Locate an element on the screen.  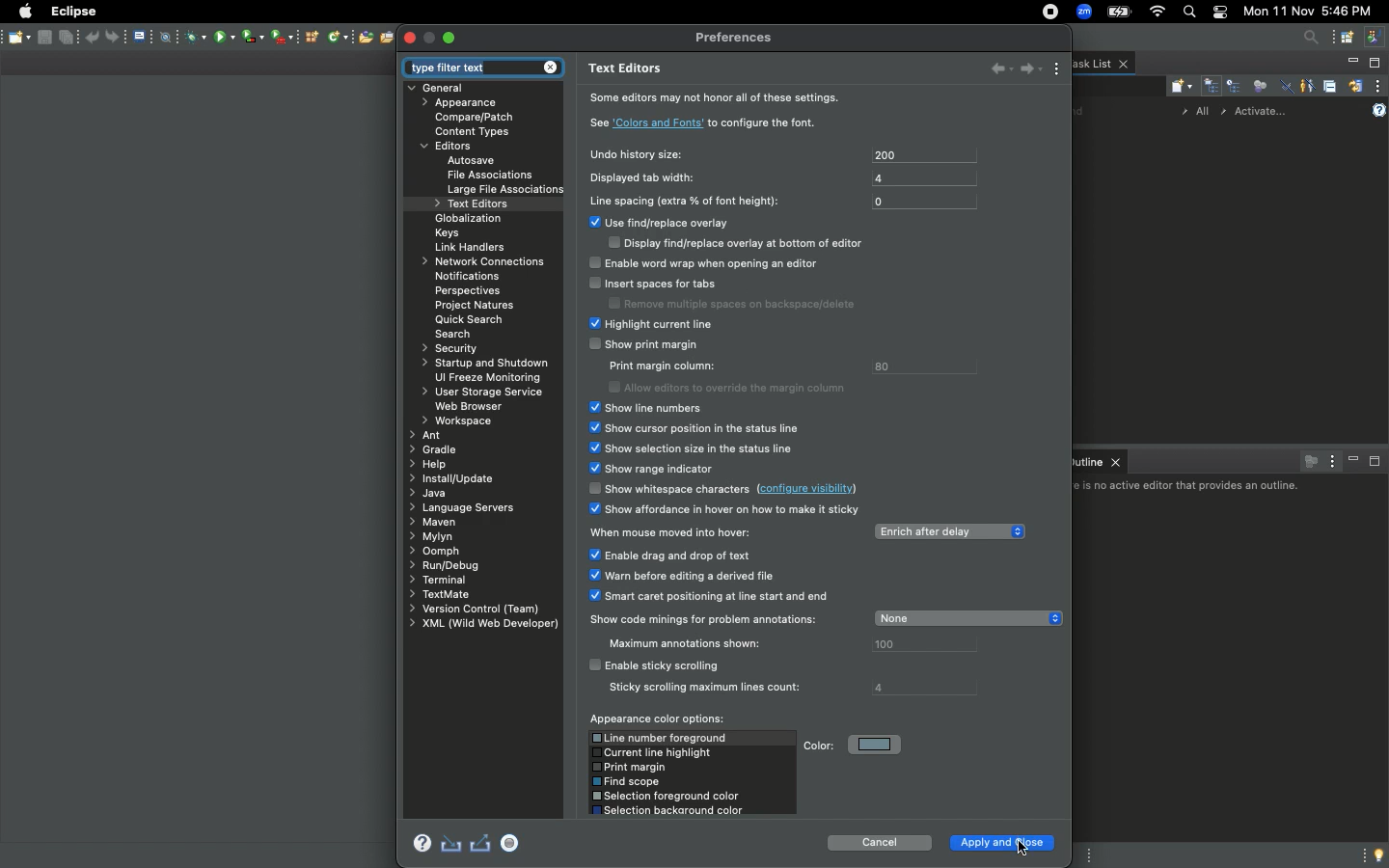
Zoom is located at coordinates (1083, 14).